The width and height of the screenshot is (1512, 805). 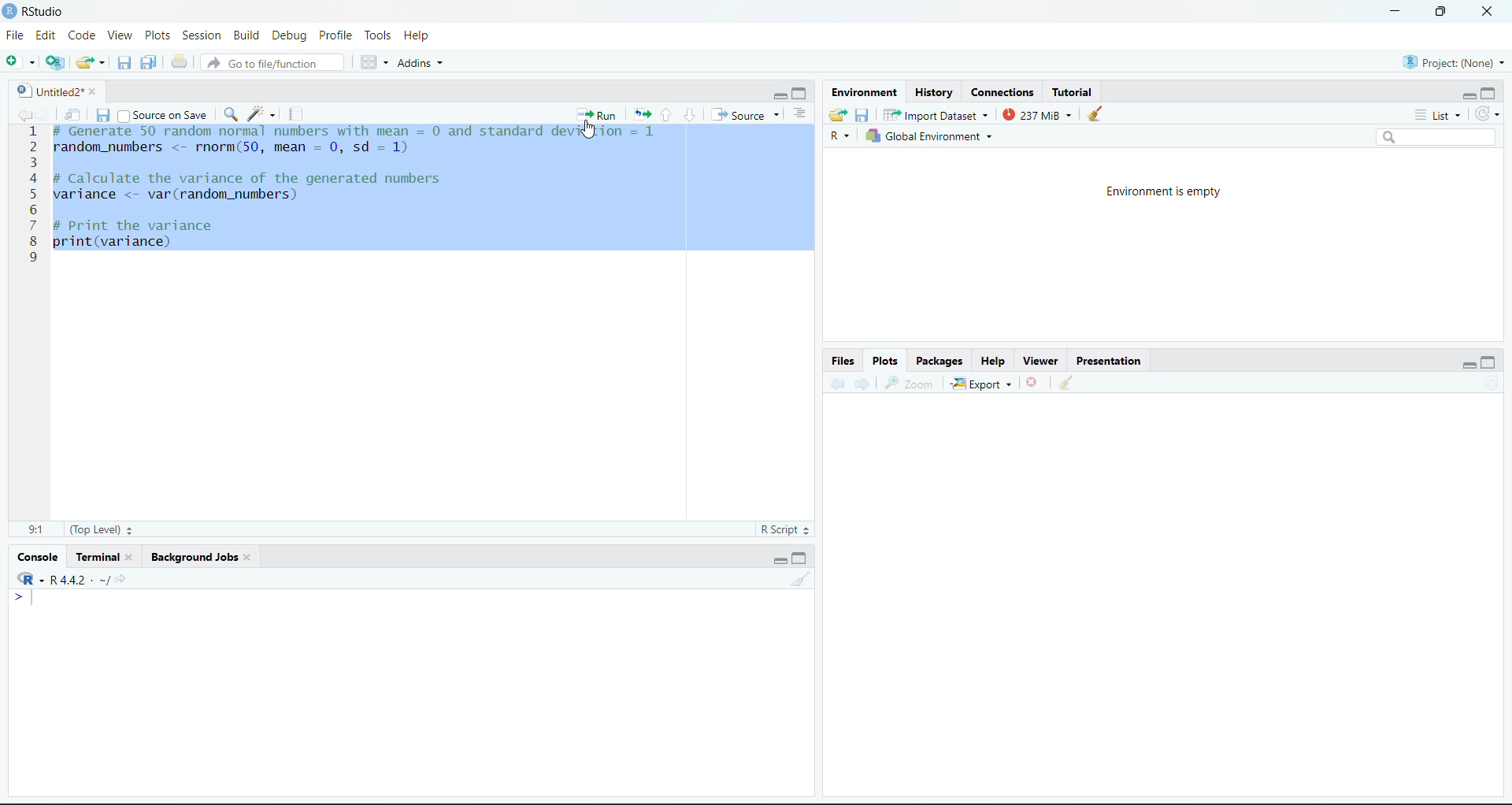 What do you see at coordinates (1488, 93) in the screenshot?
I see `maximize` at bounding box center [1488, 93].